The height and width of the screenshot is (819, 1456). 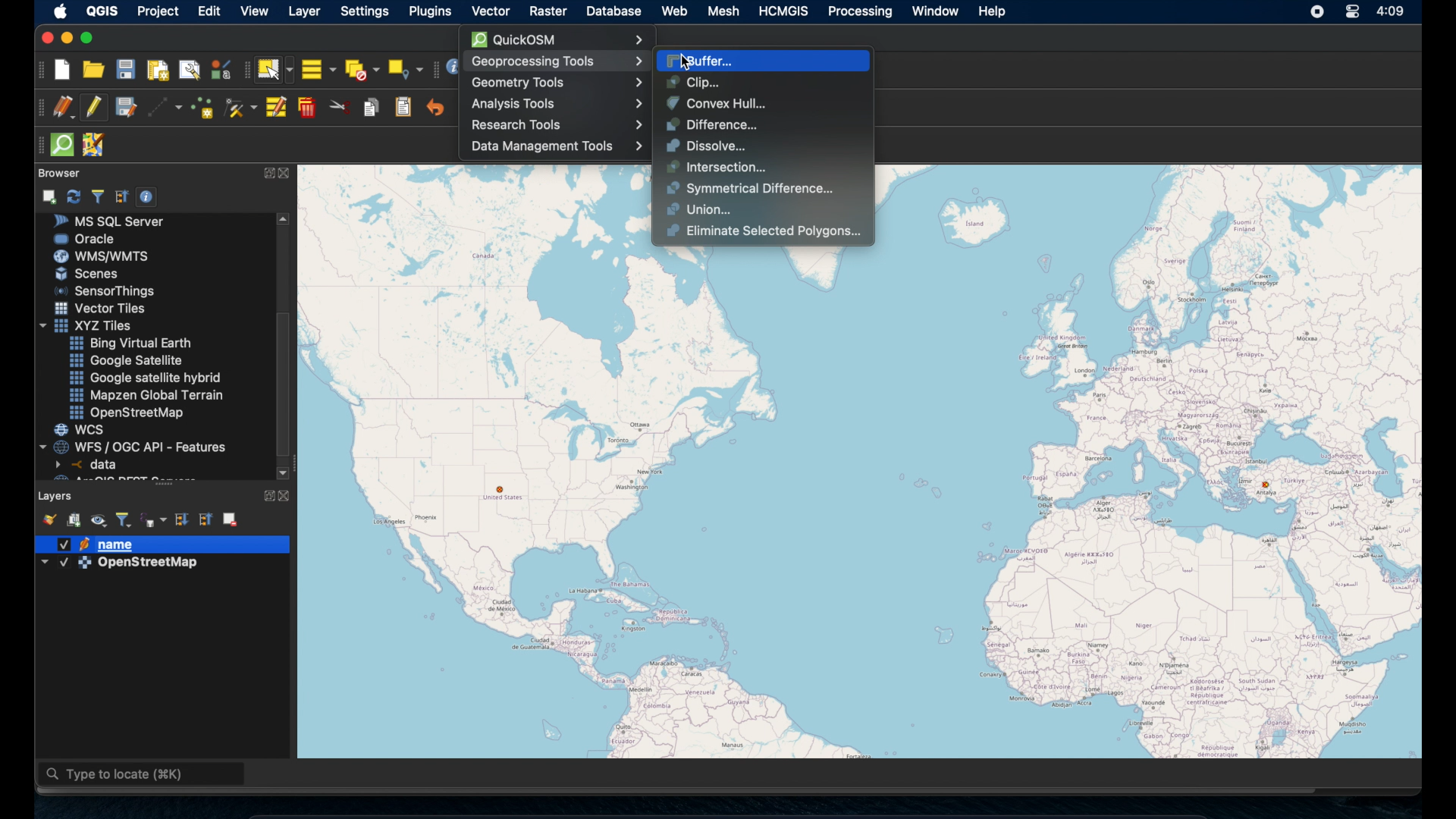 I want to click on Research Tools , so click(x=554, y=126).